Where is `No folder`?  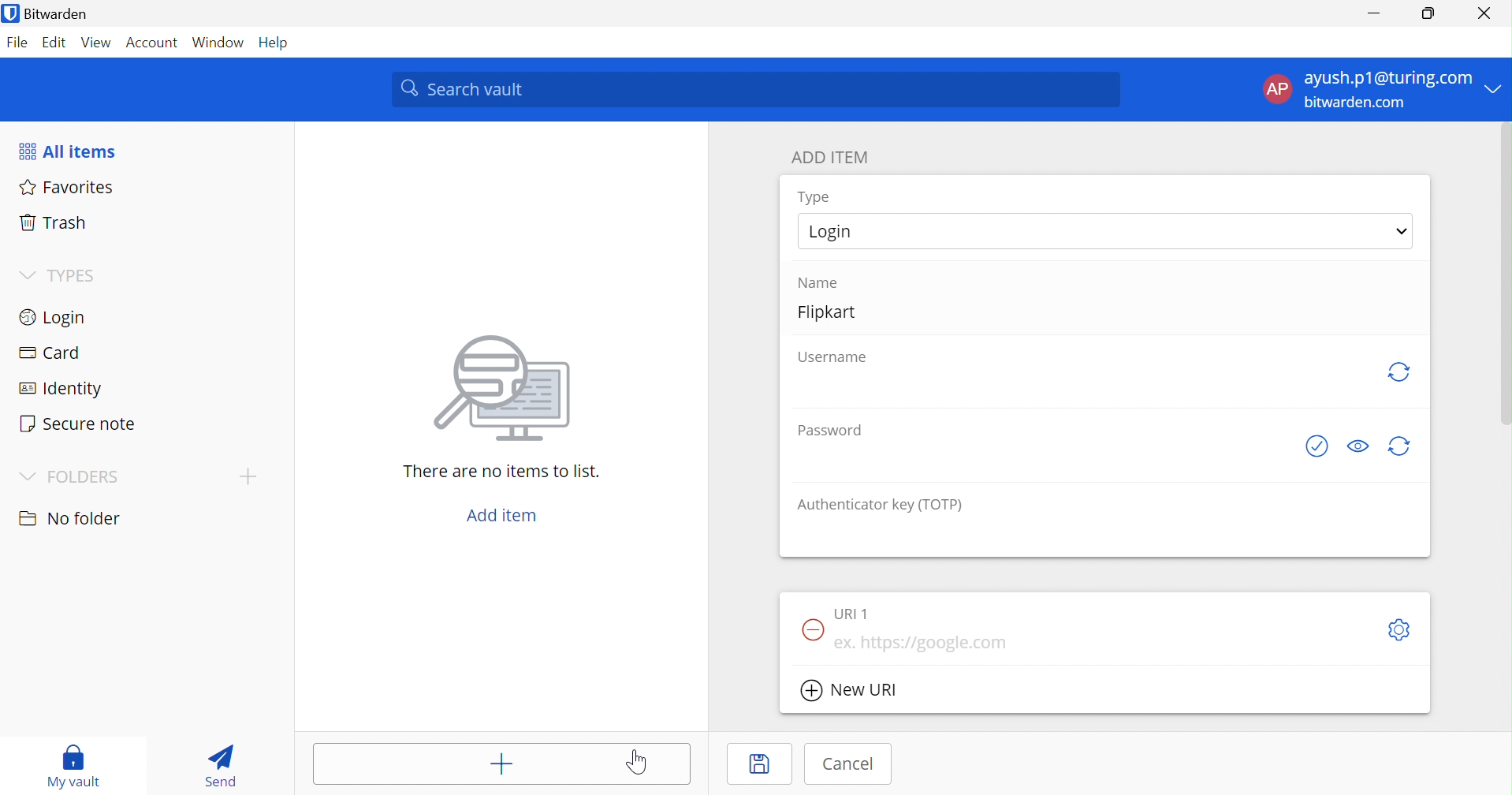
No folder is located at coordinates (73, 519).